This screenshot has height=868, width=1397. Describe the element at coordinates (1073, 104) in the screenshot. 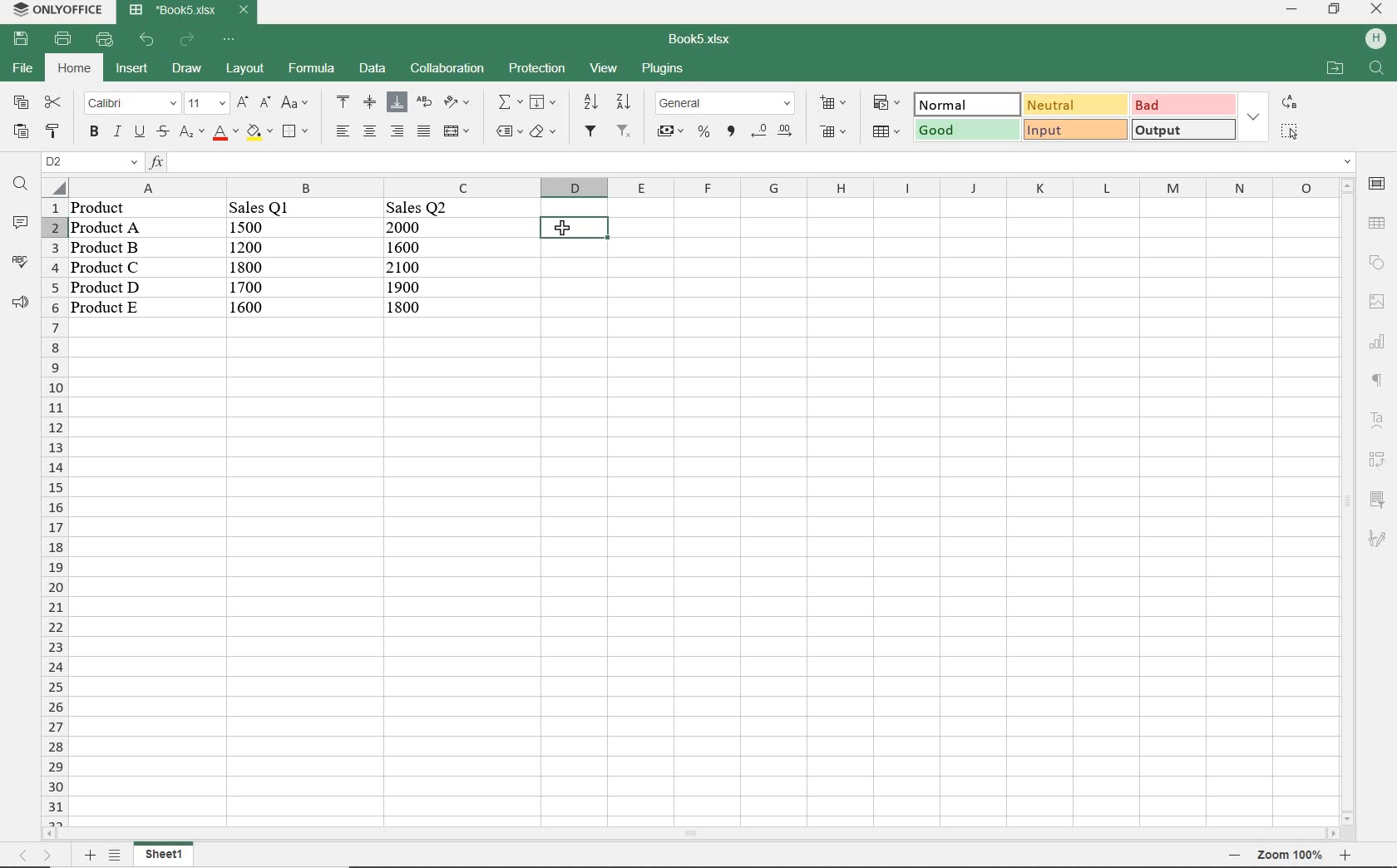

I see `neutral` at that location.